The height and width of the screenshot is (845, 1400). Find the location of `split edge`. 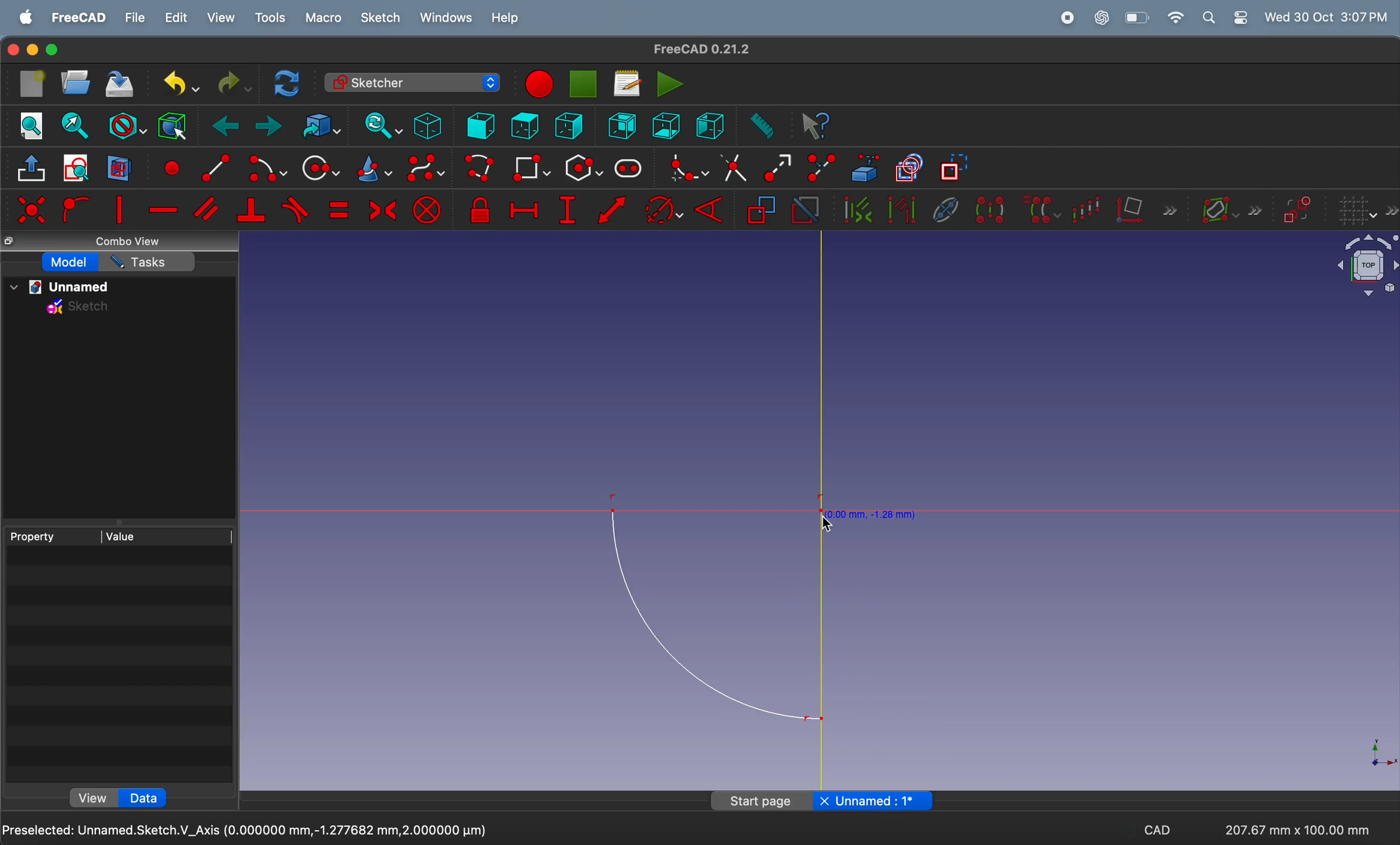

split edge is located at coordinates (824, 166).